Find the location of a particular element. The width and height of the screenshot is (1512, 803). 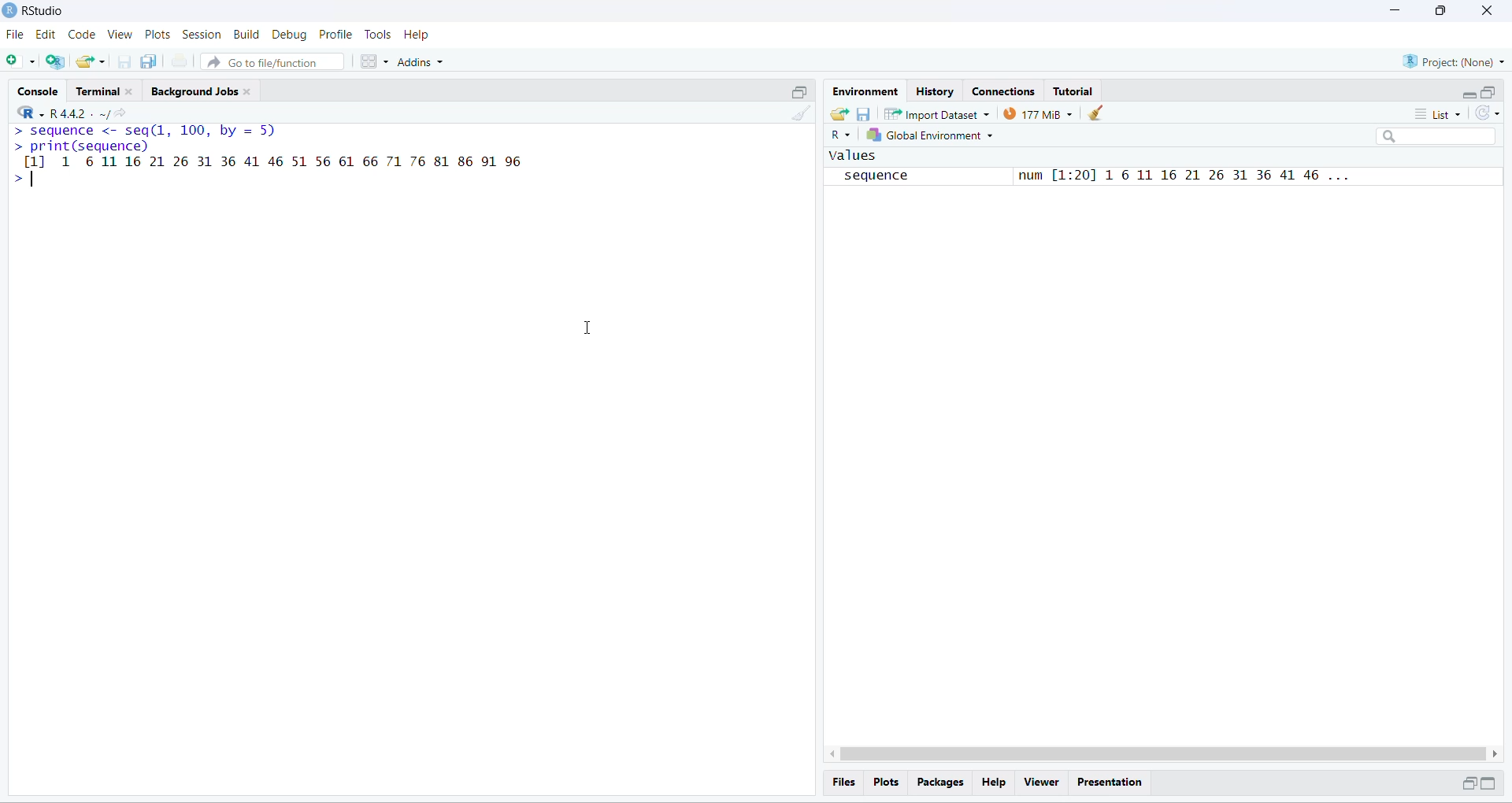

debug is located at coordinates (291, 35).